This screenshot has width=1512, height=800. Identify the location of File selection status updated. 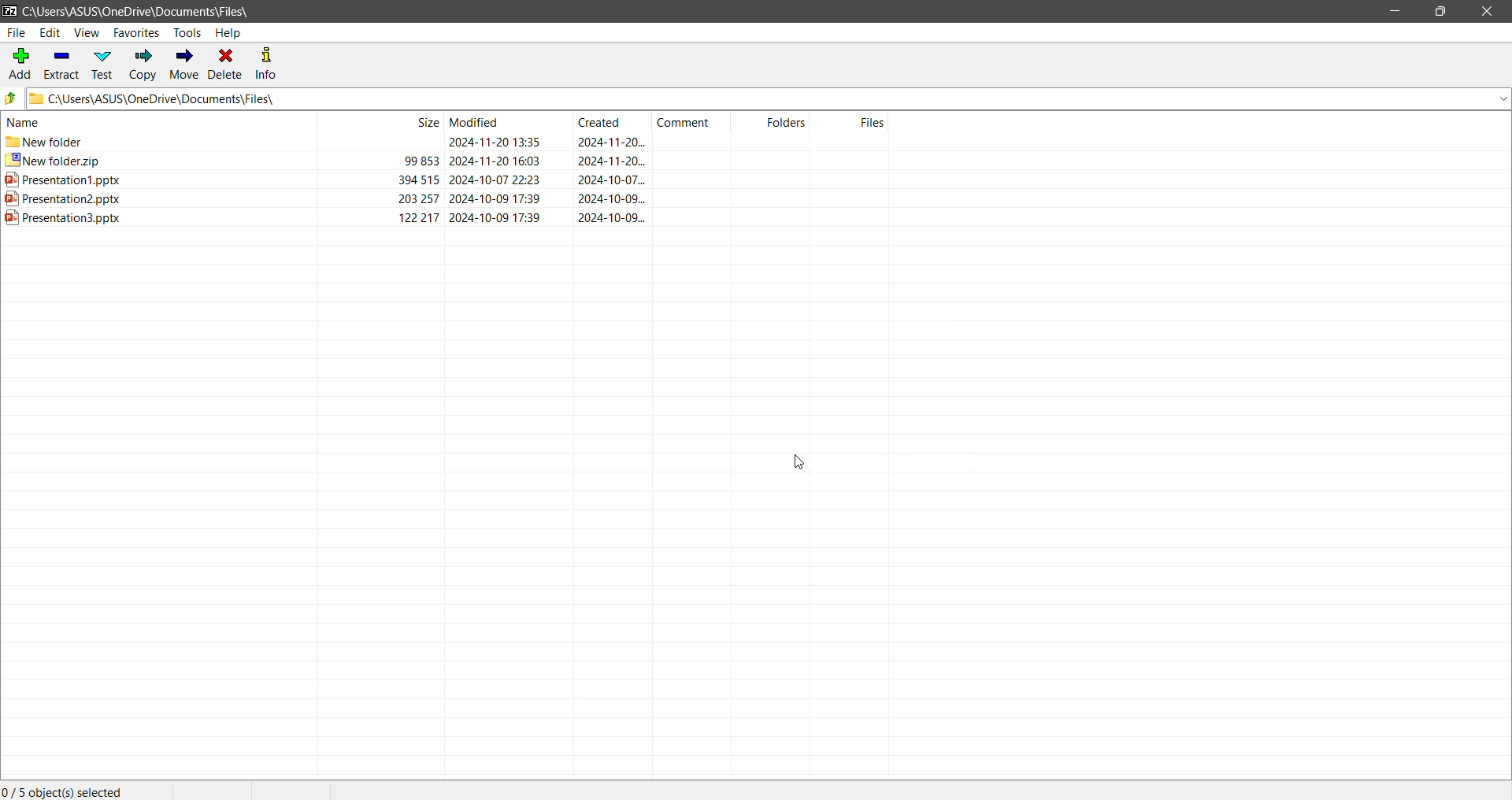
(68, 791).